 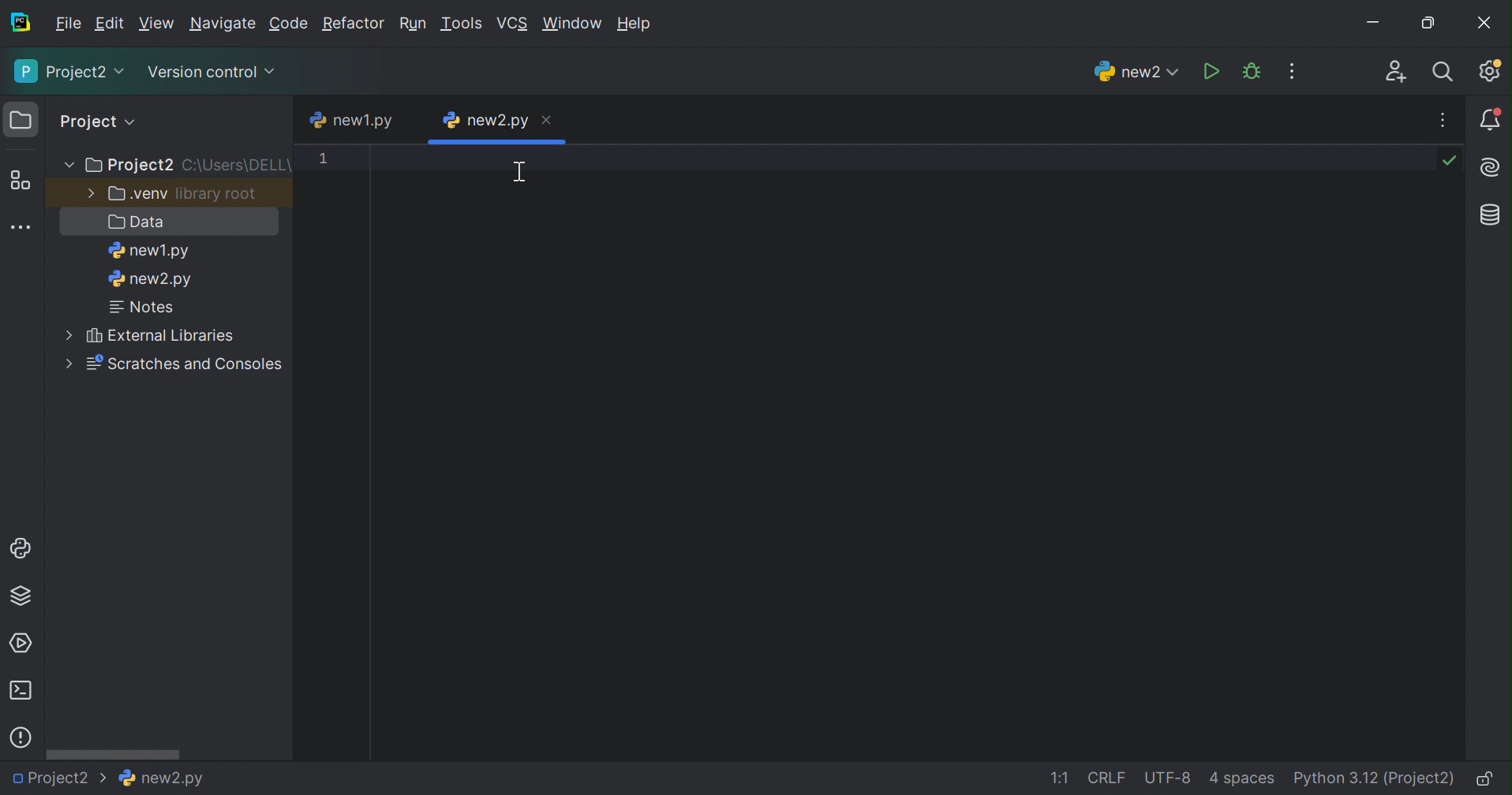 I want to click on Debug, so click(x=1252, y=71).